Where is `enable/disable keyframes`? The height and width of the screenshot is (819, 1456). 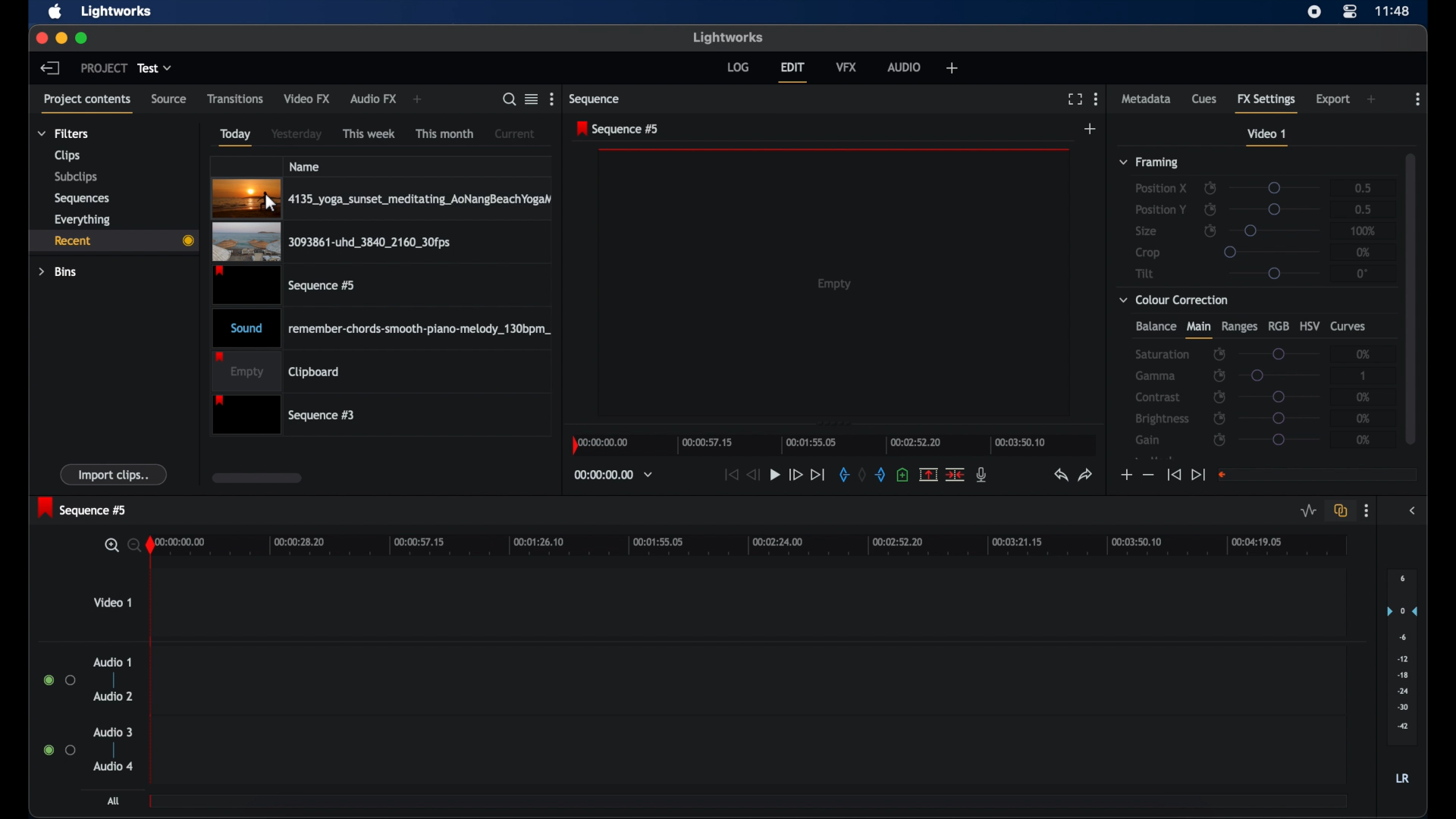
enable/disable keyframes is located at coordinates (1219, 375).